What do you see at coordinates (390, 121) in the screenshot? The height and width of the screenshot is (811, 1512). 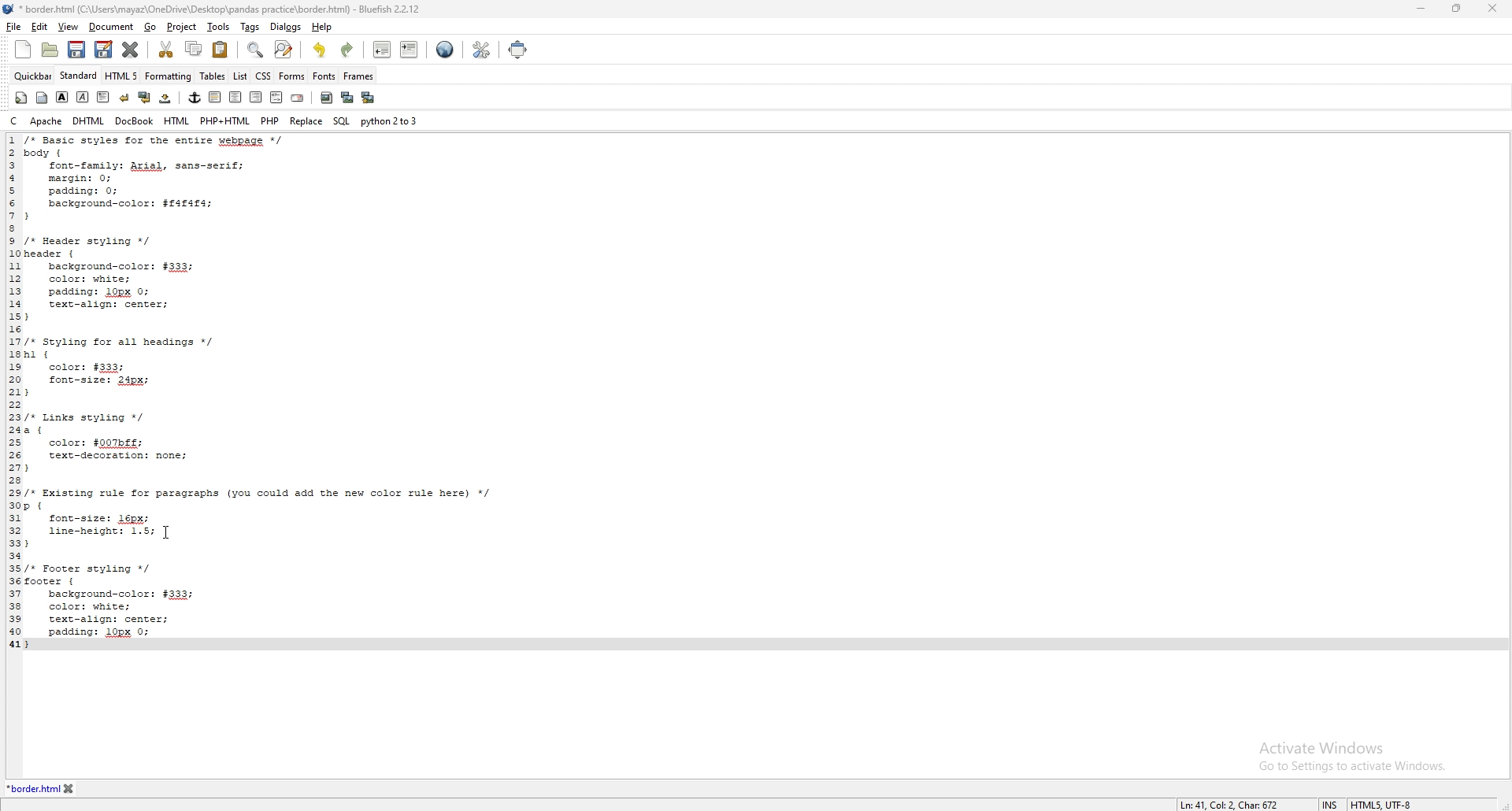 I see `python 2to3` at bounding box center [390, 121].